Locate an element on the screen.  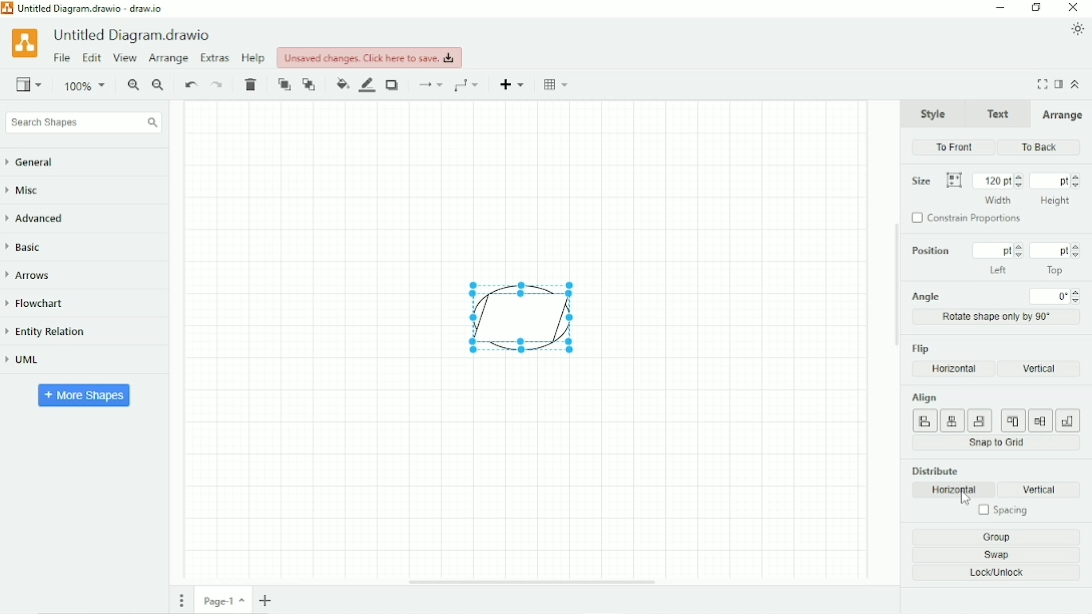
Search shapes is located at coordinates (83, 123).